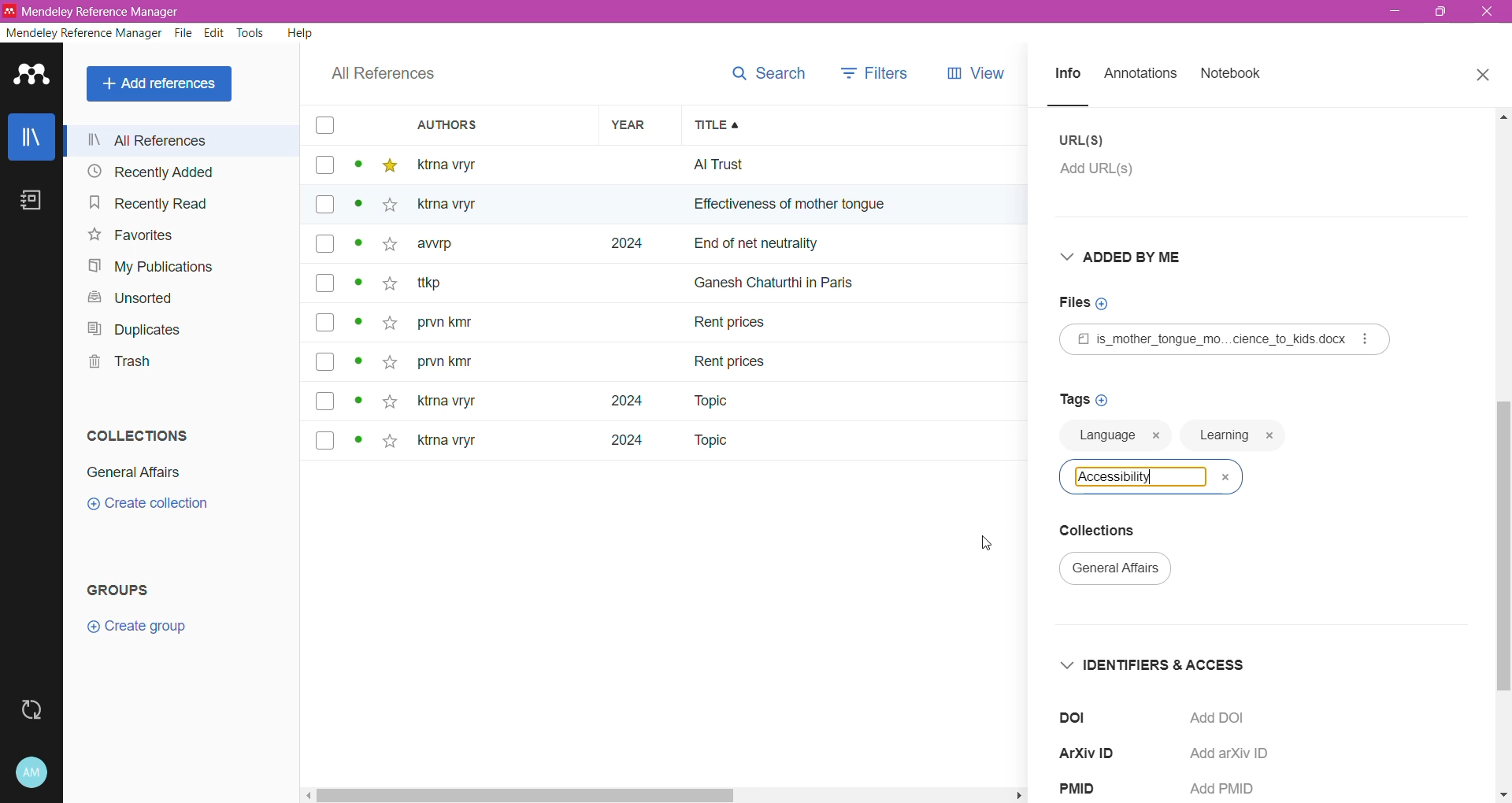 This screenshot has height=803, width=1512. What do you see at coordinates (486, 124) in the screenshot?
I see `Authors` at bounding box center [486, 124].